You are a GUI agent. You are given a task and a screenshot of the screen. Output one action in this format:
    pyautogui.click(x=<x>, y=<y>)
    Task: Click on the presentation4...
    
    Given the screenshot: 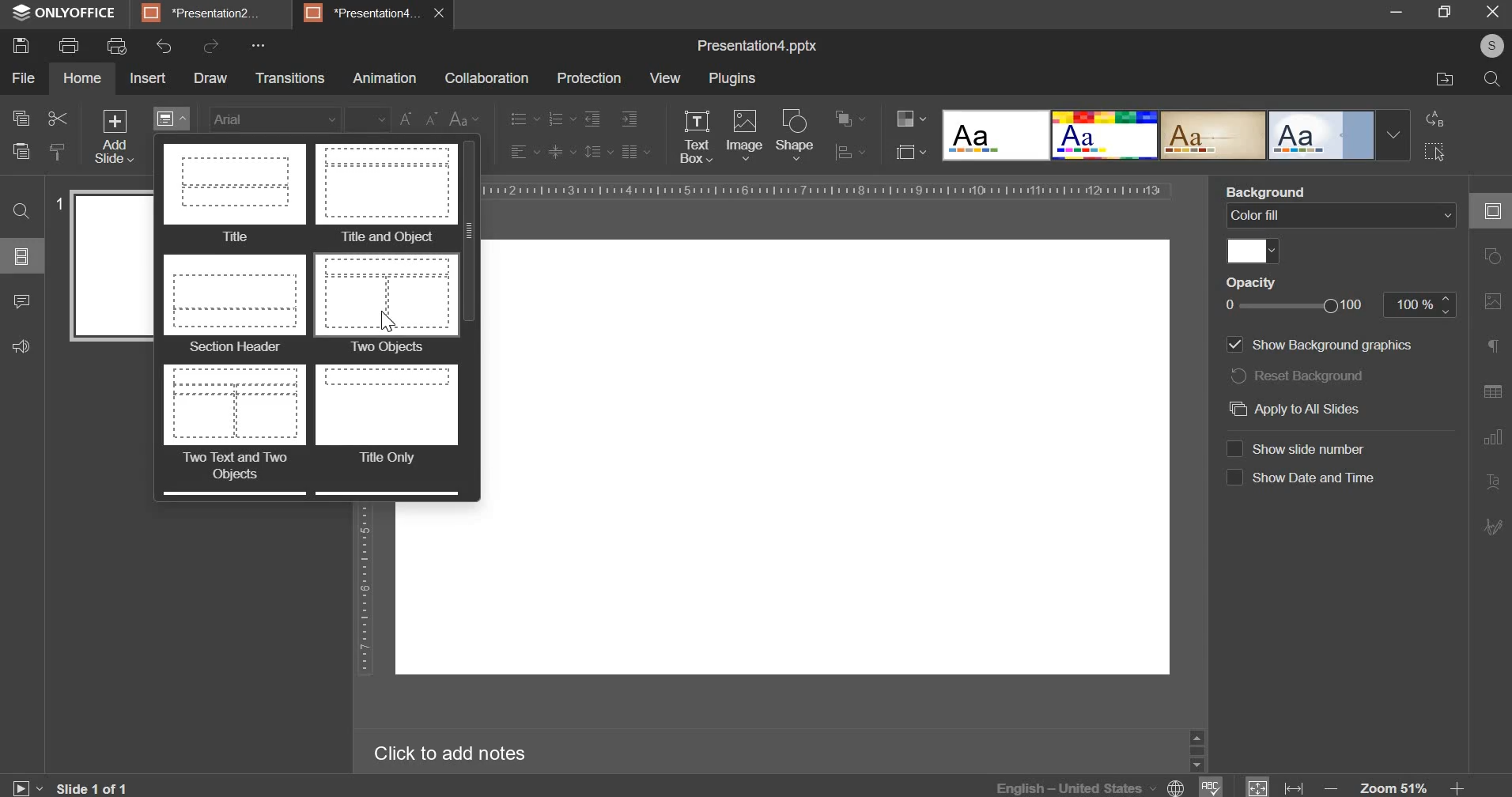 What is the action you would take?
    pyautogui.click(x=363, y=12)
    